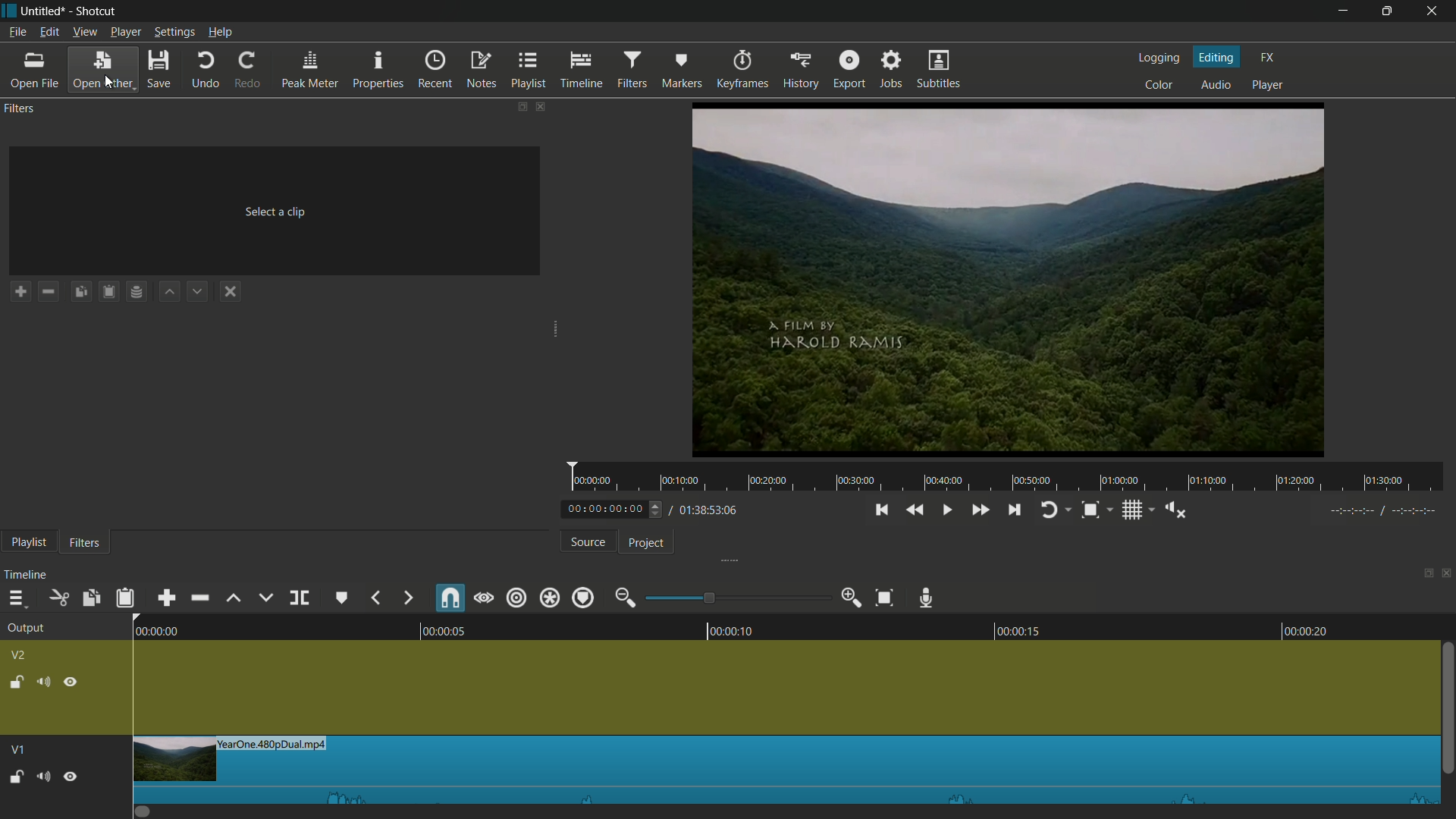  What do you see at coordinates (375, 596) in the screenshot?
I see `backward` at bounding box center [375, 596].